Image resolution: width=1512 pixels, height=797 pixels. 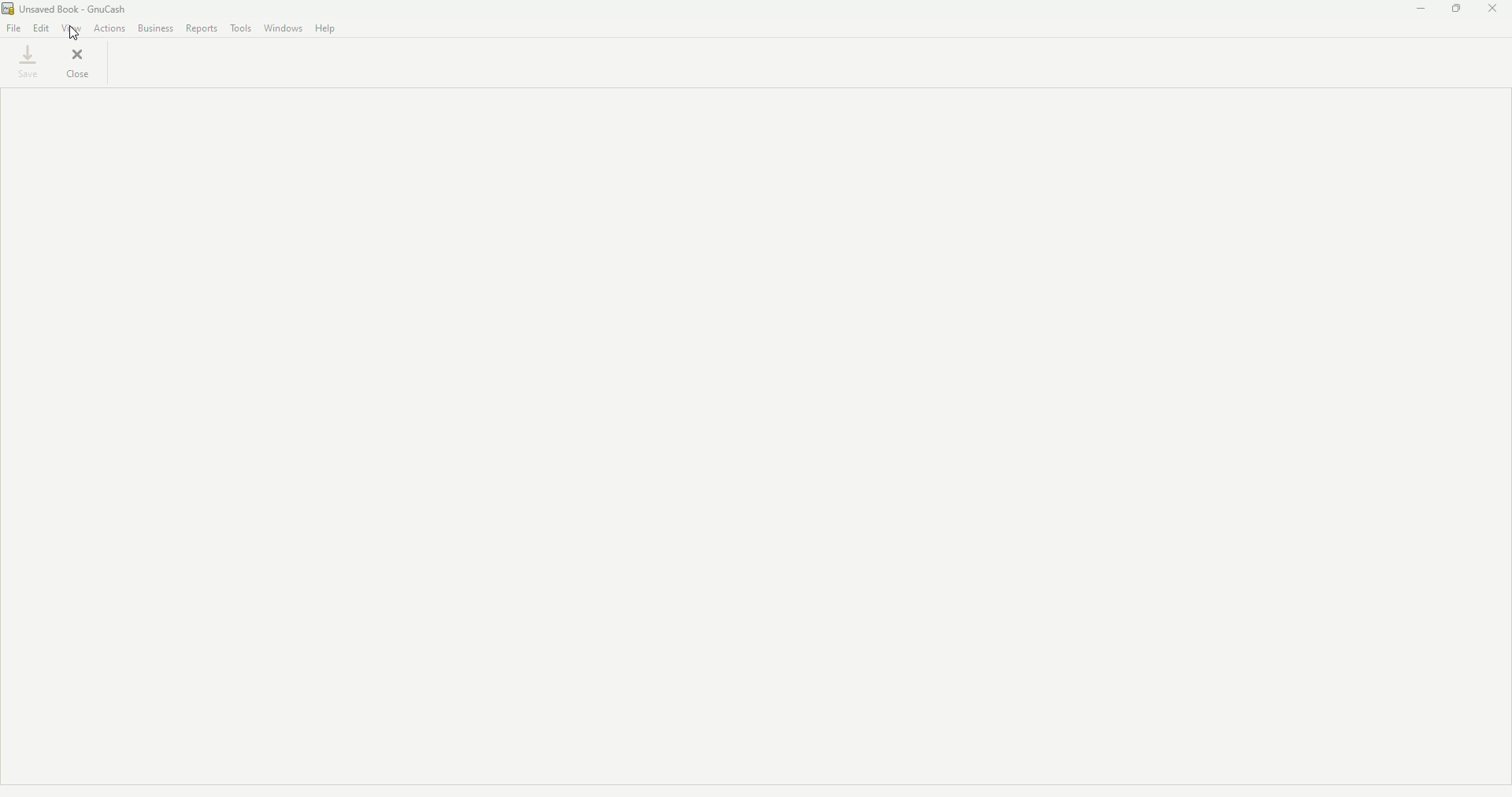 What do you see at coordinates (71, 28) in the screenshot?
I see `View` at bounding box center [71, 28].